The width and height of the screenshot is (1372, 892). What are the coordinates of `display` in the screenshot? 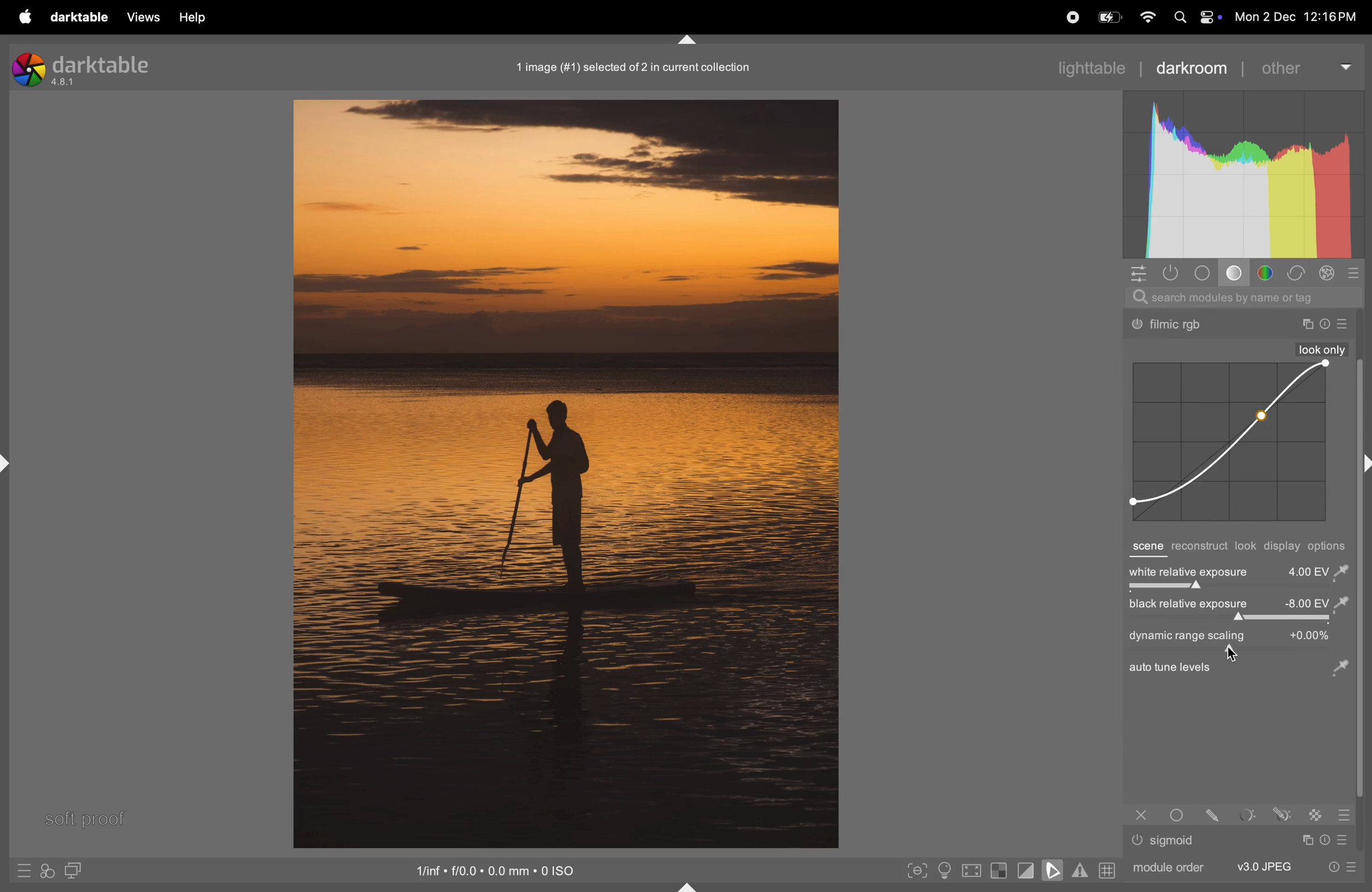 It's located at (1283, 547).